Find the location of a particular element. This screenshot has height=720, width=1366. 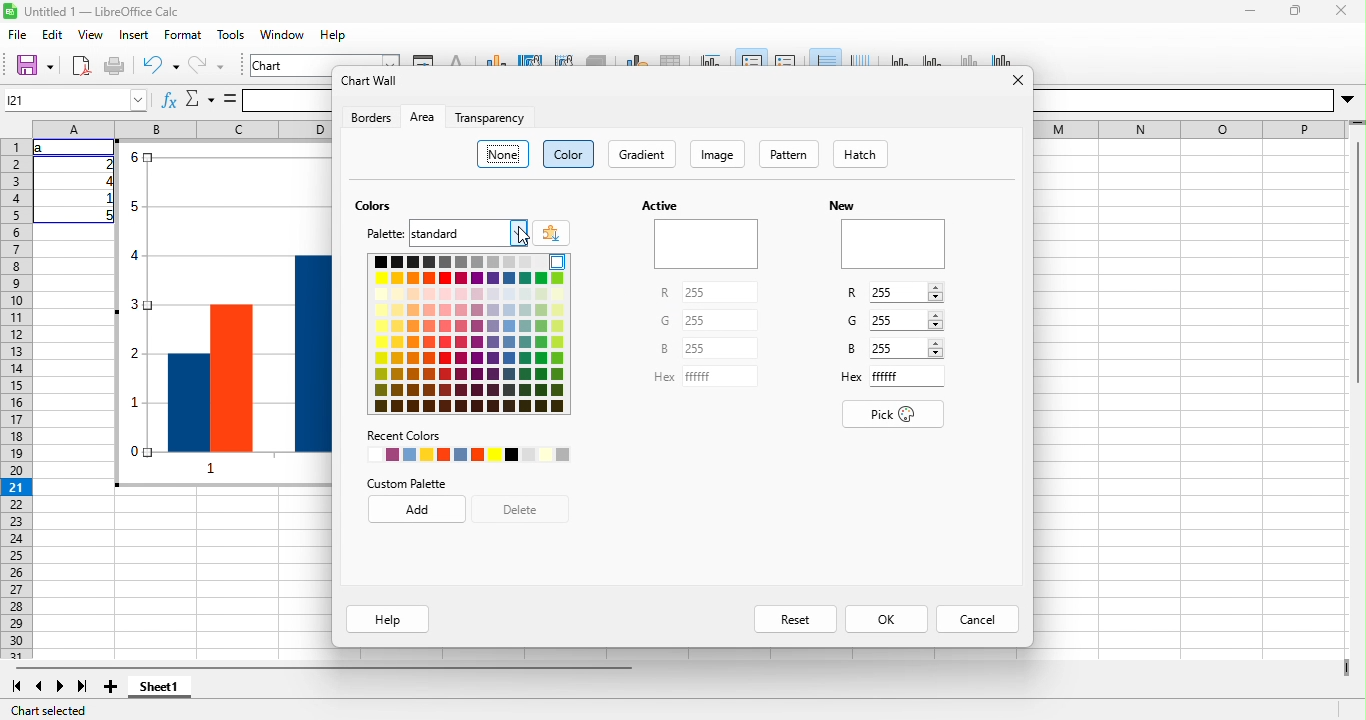

pattern is located at coordinates (789, 154).